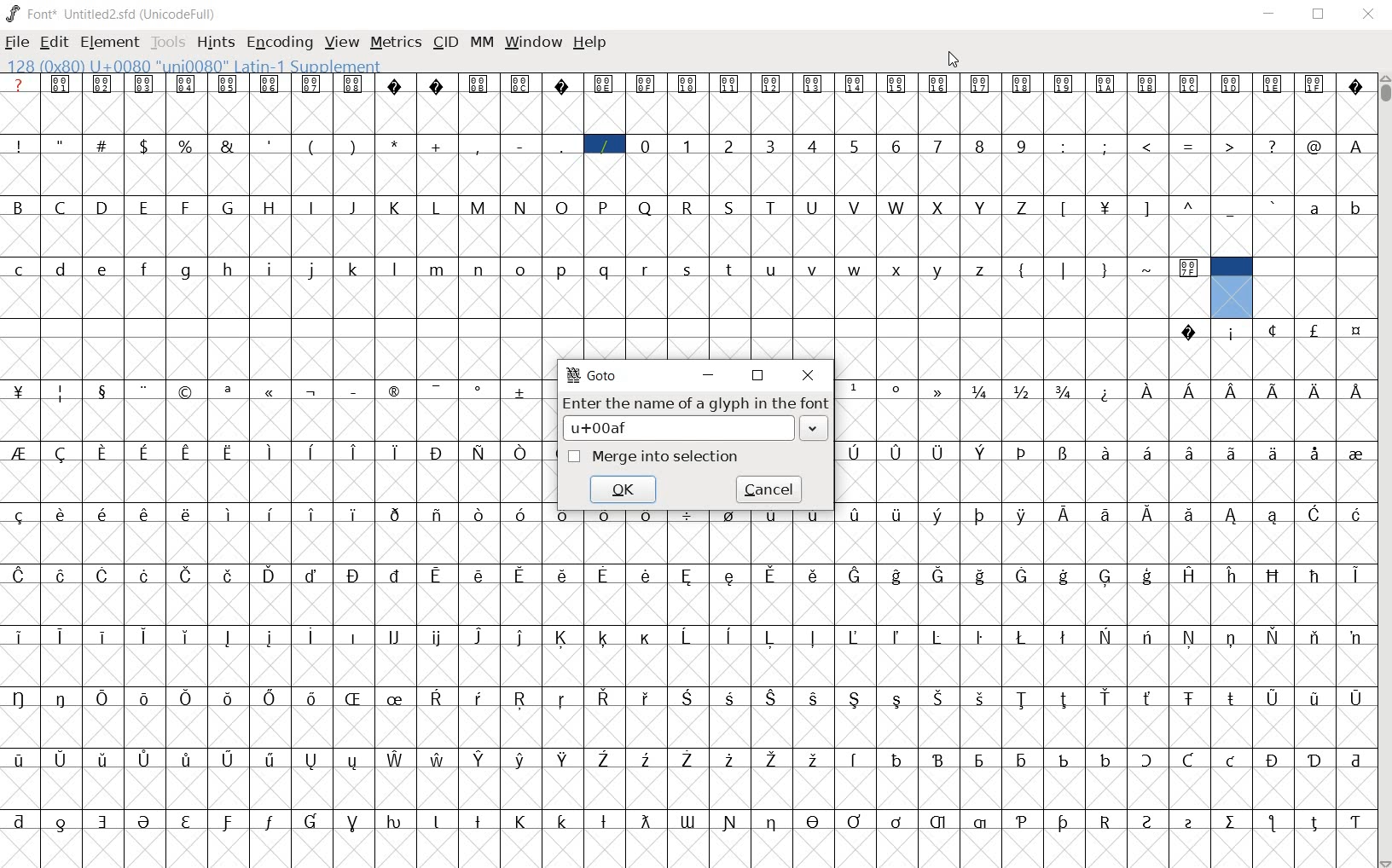 The height and width of the screenshot is (868, 1392). Describe the element at coordinates (938, 145) in the screenshot. I see `7` at that location.